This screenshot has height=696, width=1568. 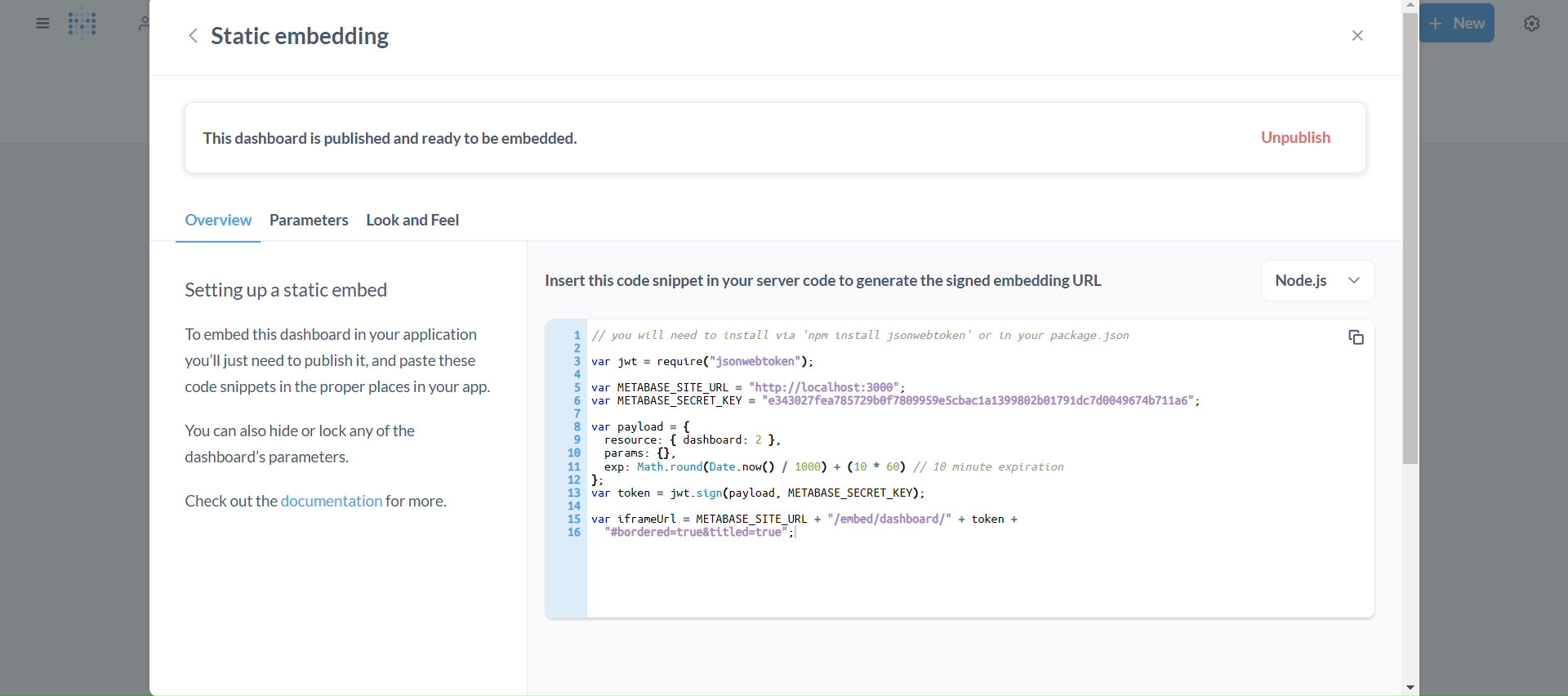 I want to click on this dashboard is published and ready to be embedded., so click(x=400, y=141).